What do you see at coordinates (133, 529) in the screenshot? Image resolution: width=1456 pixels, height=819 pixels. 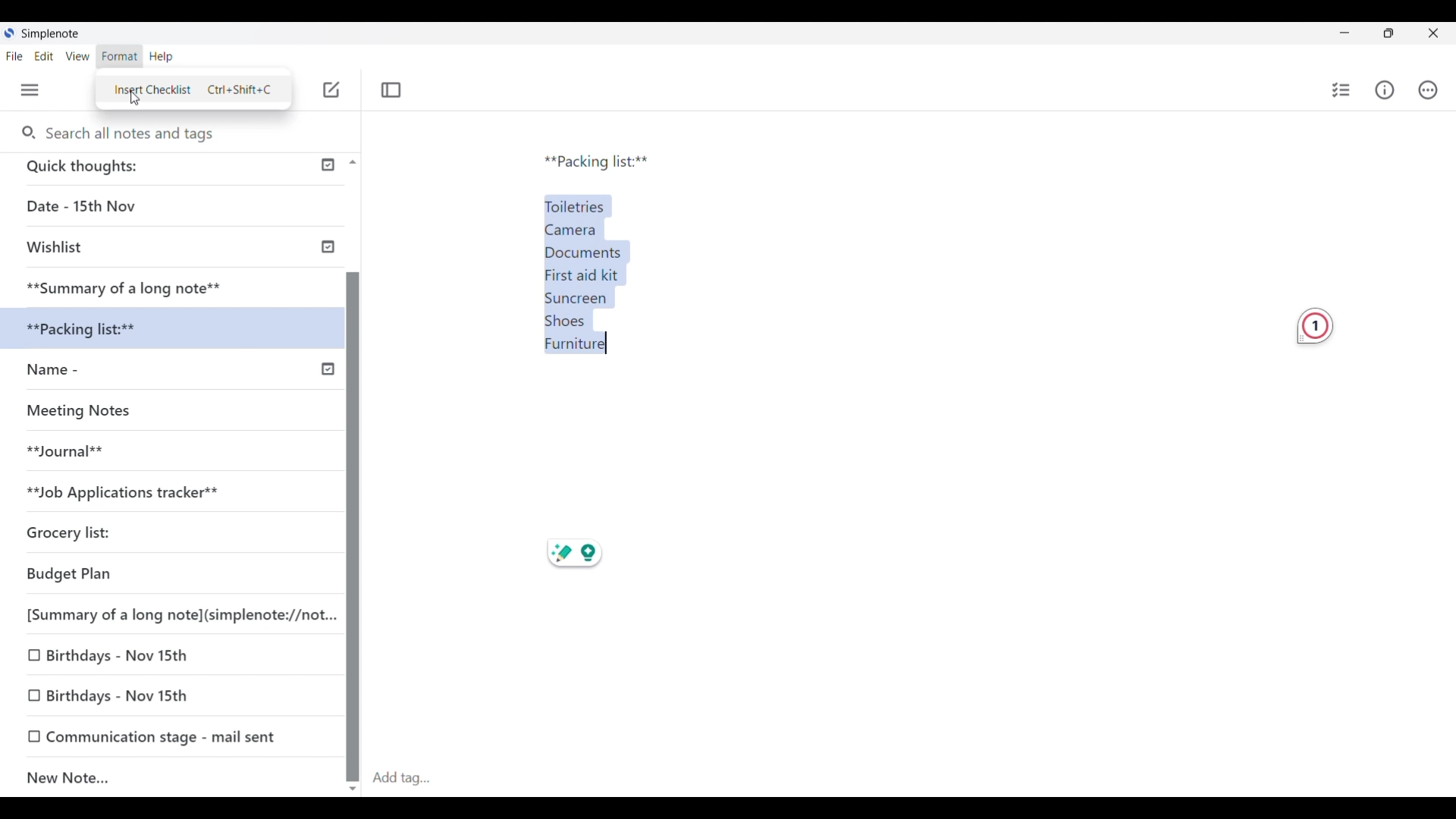 I see `Grocery list` at bounding box center [133, 529].